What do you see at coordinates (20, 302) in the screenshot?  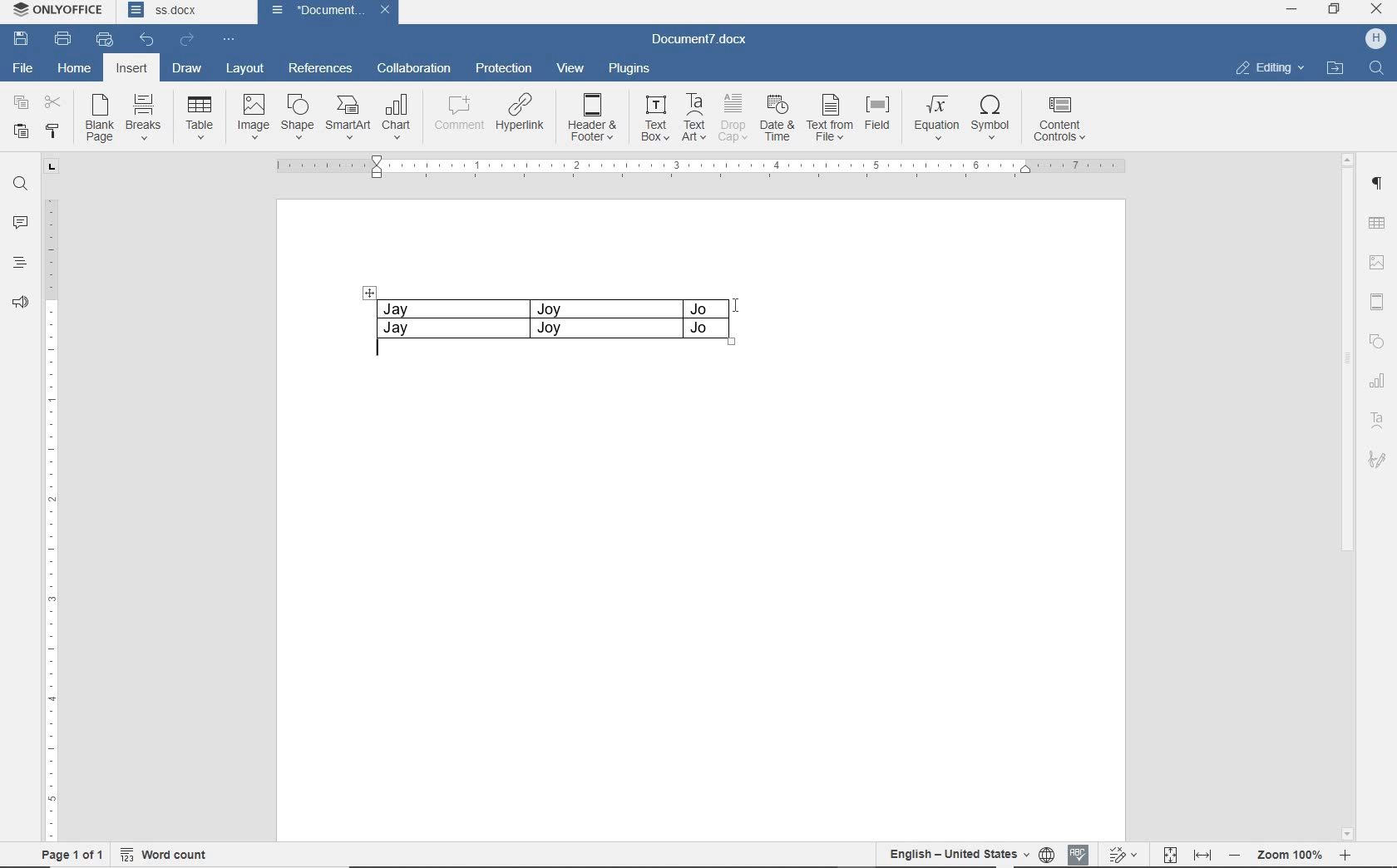 I see `FEEDBACK & SUPPORT` at bounding box center [20, 302].